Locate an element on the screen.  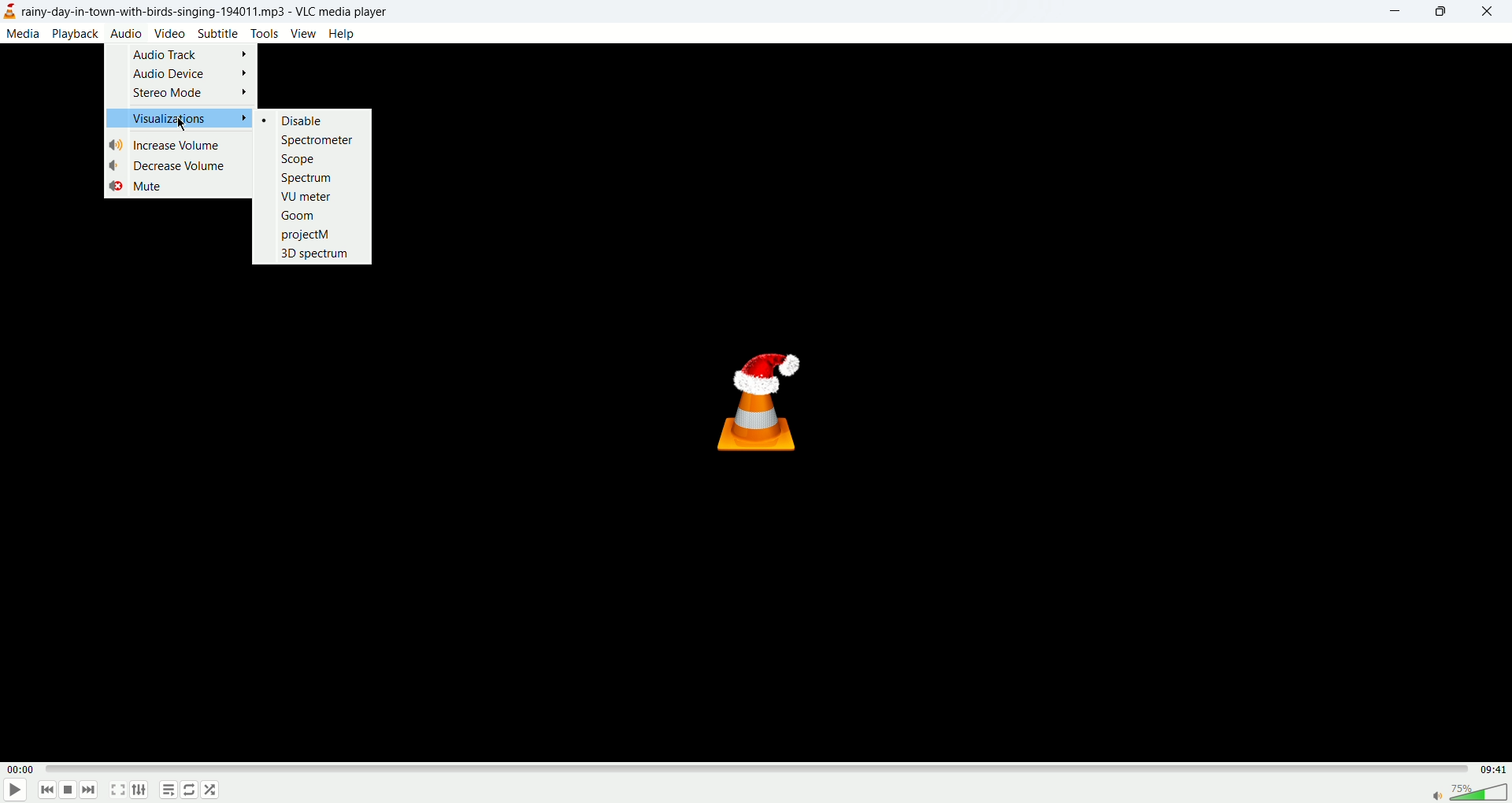
media is located at coordinates (23, 35).